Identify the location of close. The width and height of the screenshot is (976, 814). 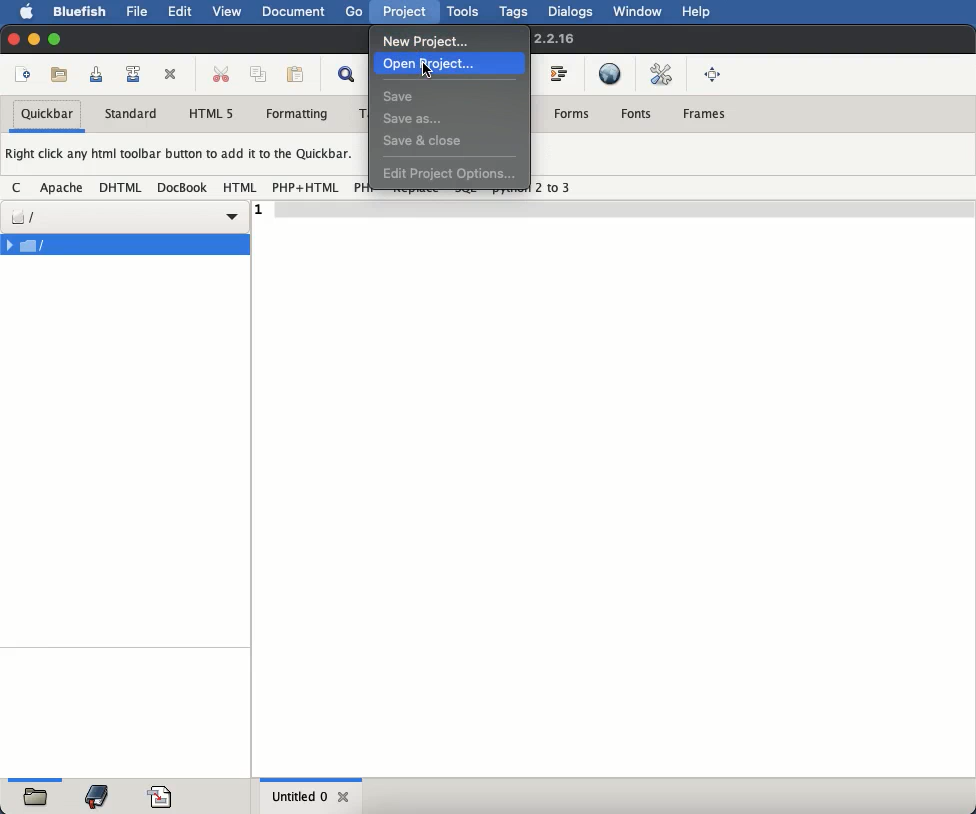
(14, 38).